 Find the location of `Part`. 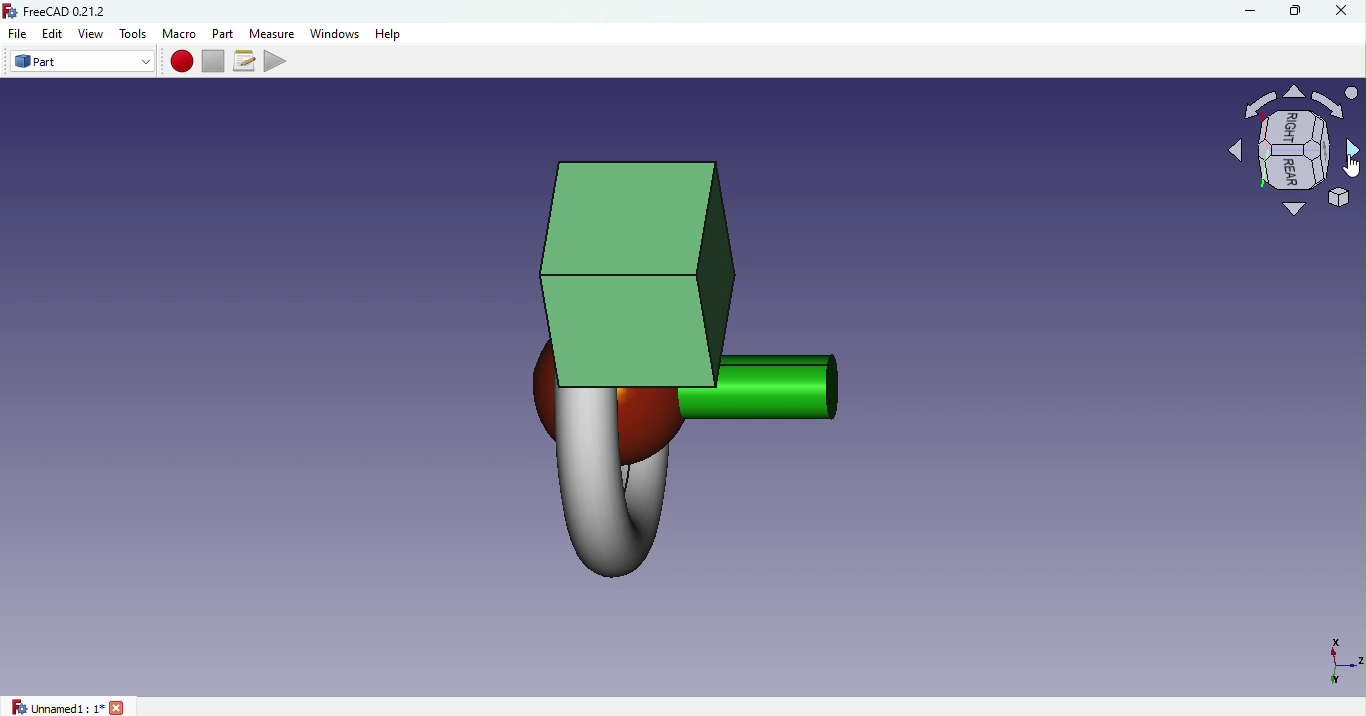

Part is located at coordinates (224, 32).